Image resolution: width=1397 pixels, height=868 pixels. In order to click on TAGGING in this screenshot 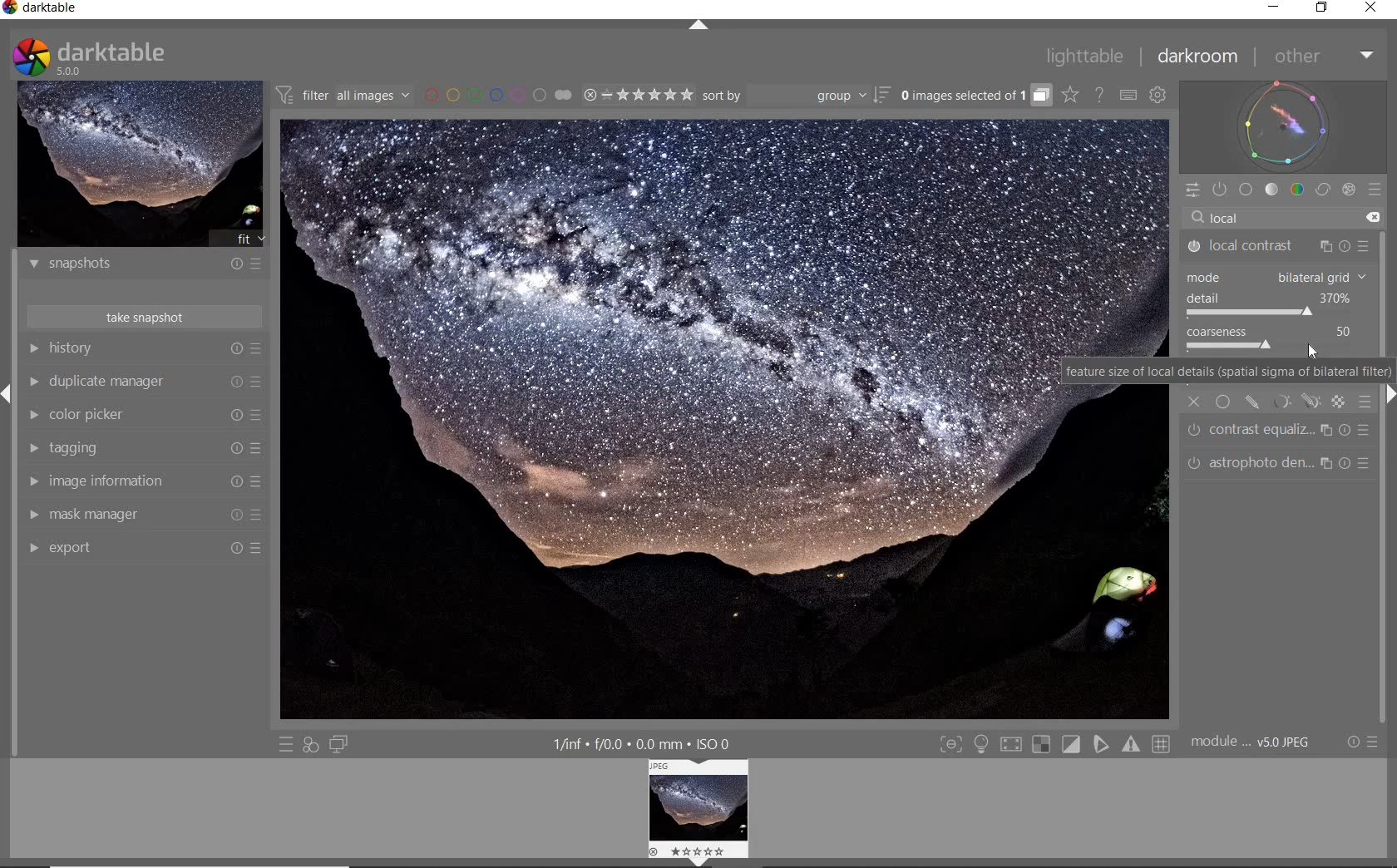, I will do `click(29, 448)`.